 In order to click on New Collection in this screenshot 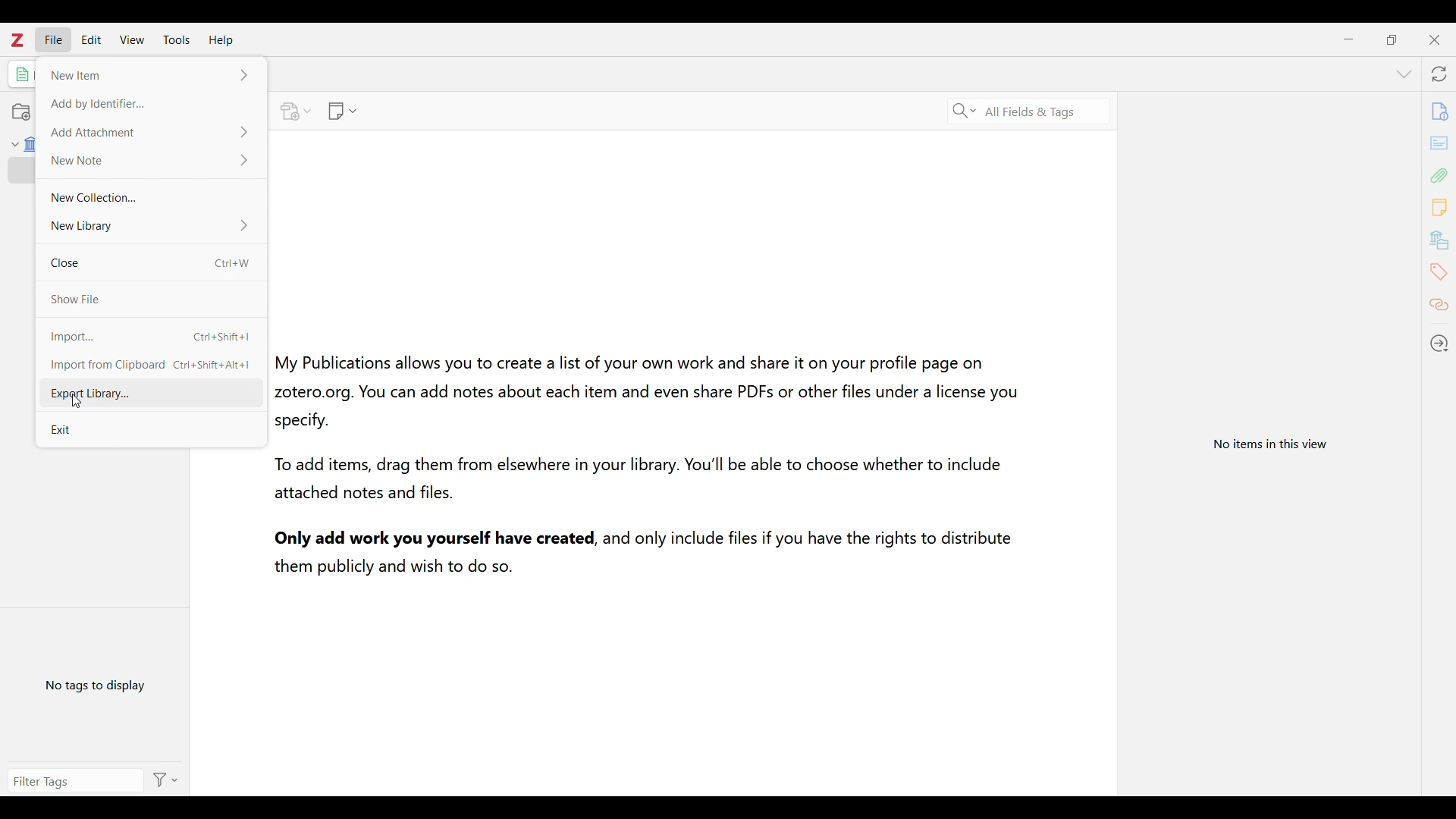, I will do `click(154, 193)`.